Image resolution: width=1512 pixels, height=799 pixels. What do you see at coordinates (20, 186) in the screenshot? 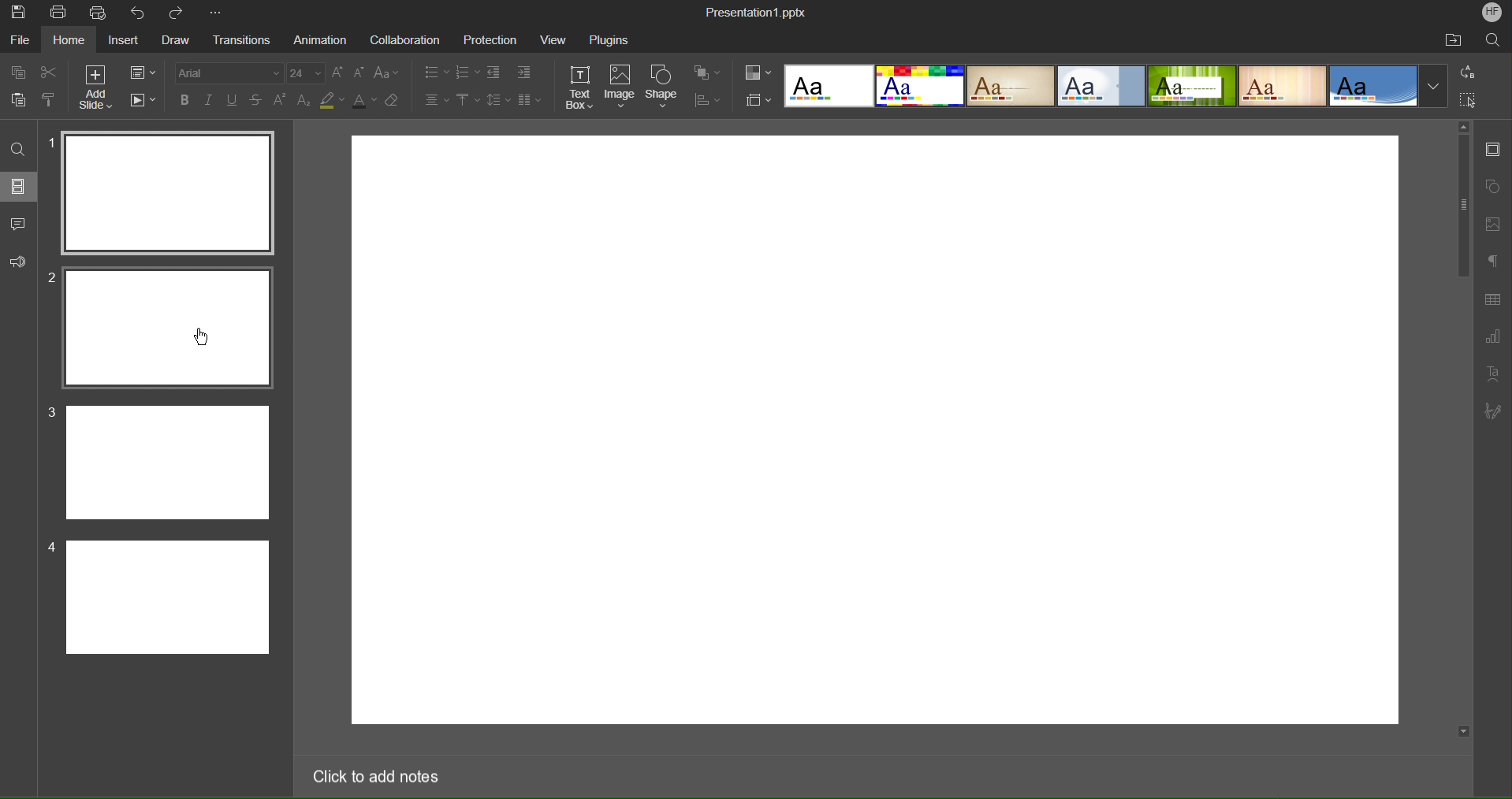
I see `Slides` at bounding box center [20, 186].